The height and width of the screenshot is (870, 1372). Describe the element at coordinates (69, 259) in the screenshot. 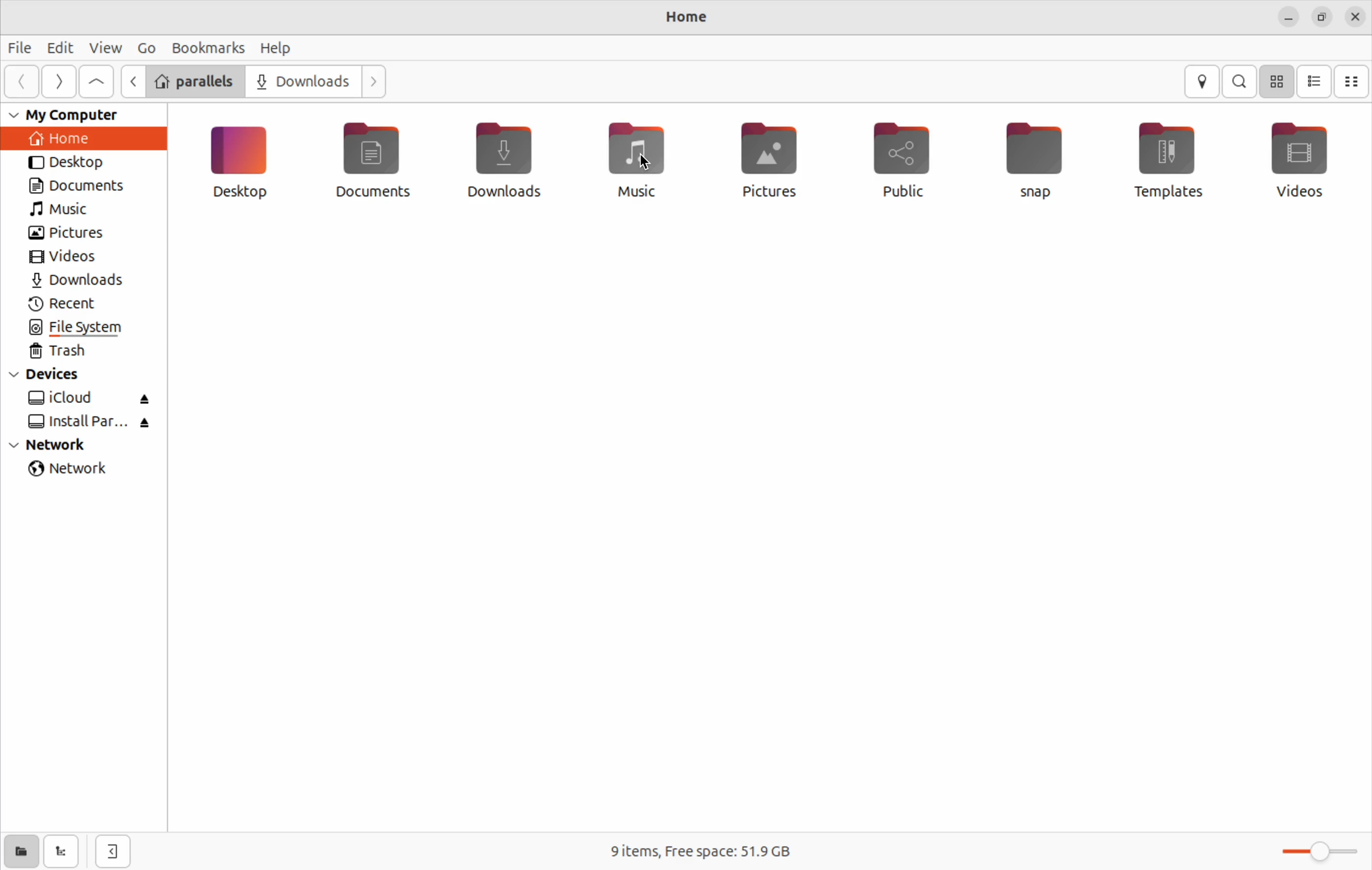

I see `videos` at that location.